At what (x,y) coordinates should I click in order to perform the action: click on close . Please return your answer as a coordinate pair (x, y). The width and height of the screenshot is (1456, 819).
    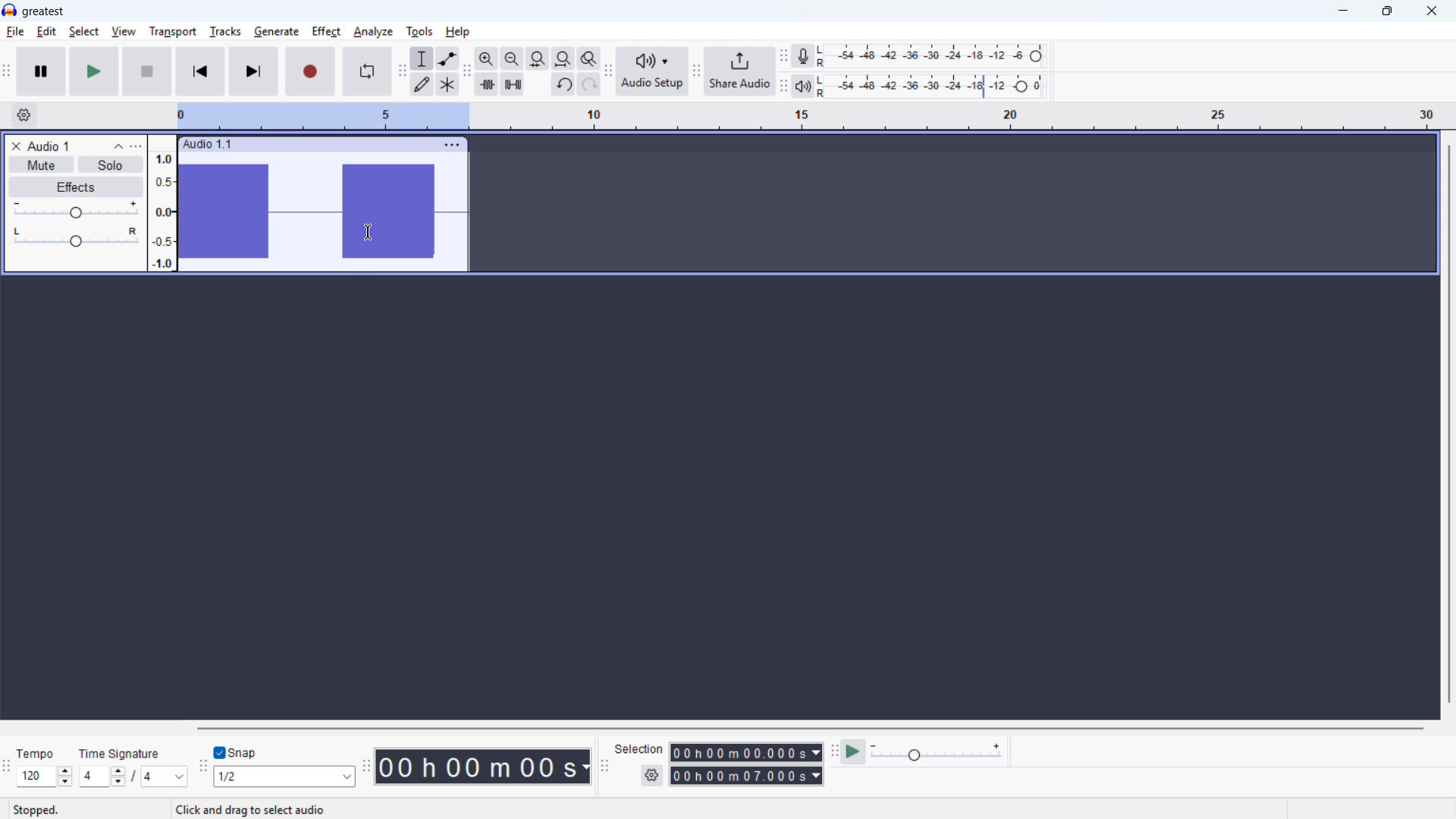
    Looking at the image, I should click on (1431, 11).